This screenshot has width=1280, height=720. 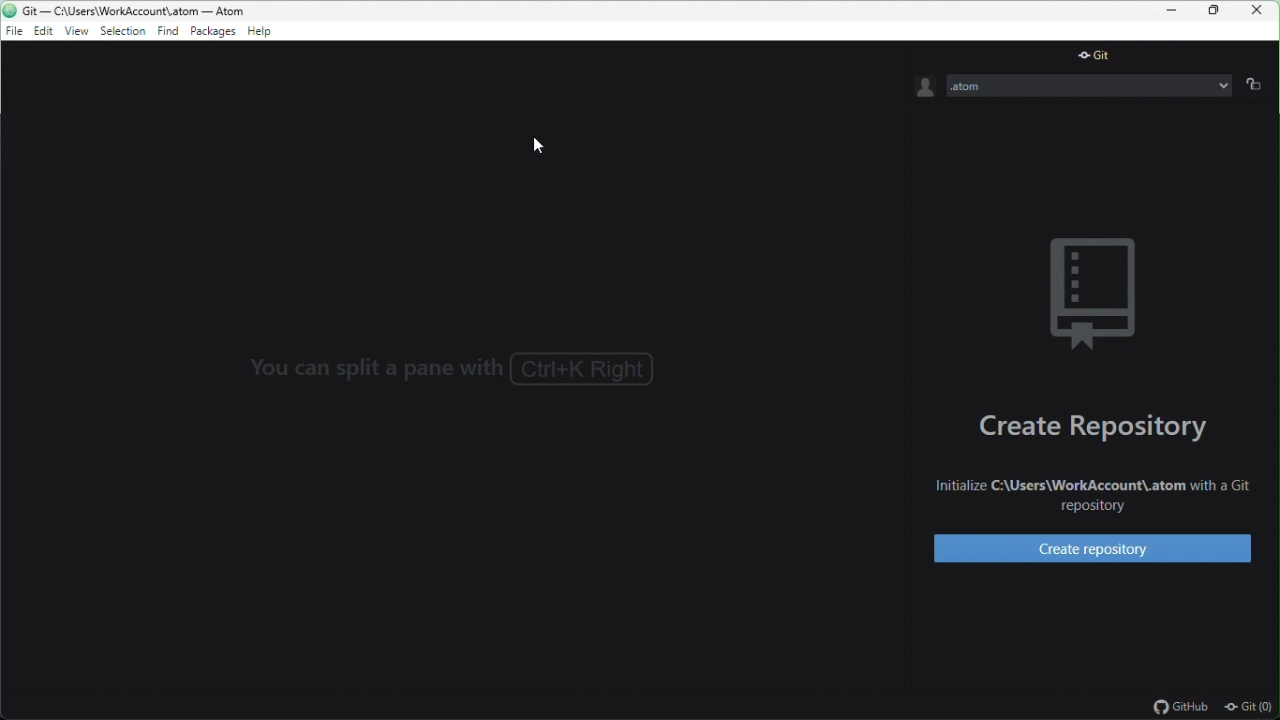 I want to click on background image, so click(x=1100, y=292).